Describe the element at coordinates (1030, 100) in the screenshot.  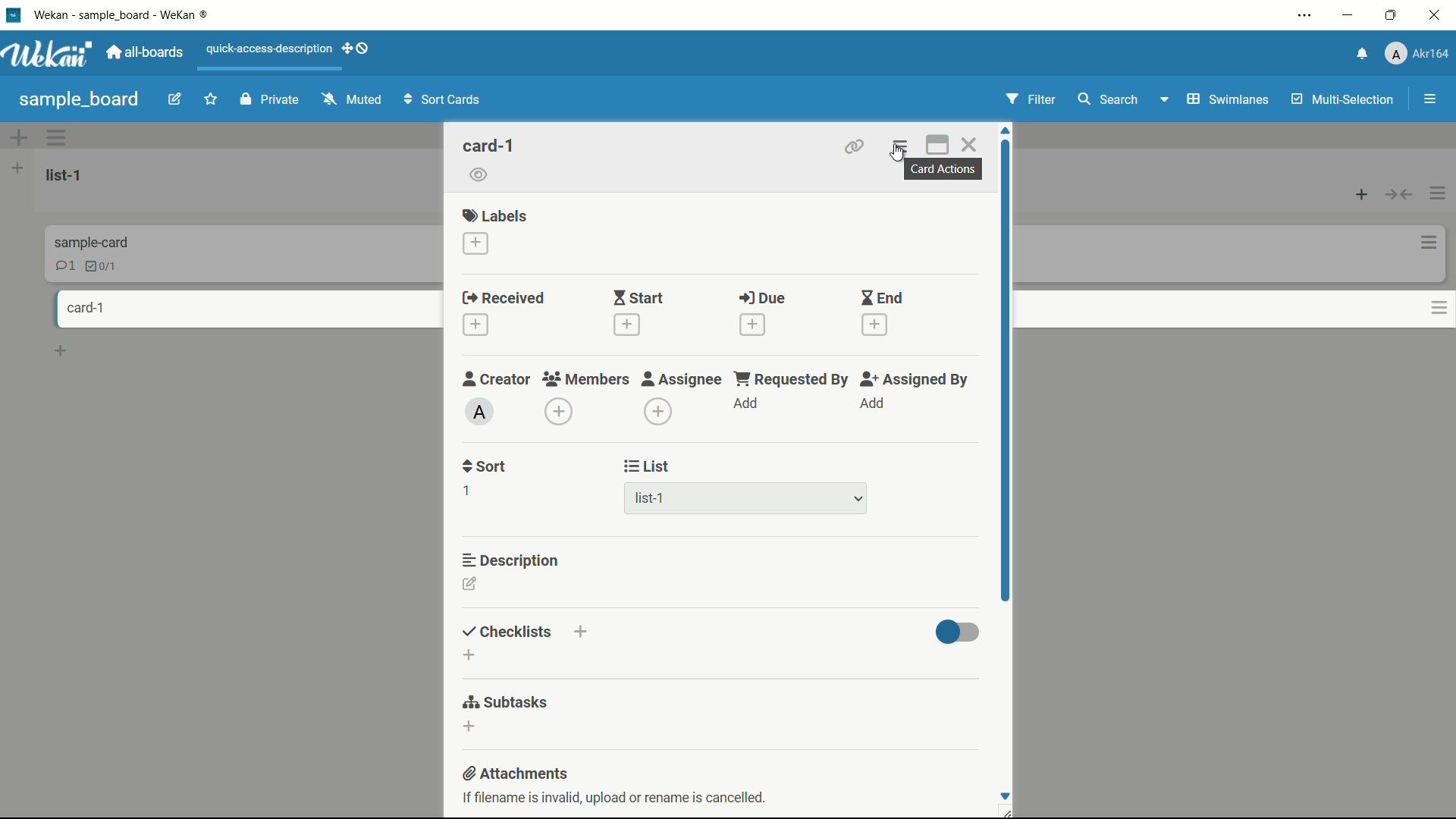
I see `filter` at that location.